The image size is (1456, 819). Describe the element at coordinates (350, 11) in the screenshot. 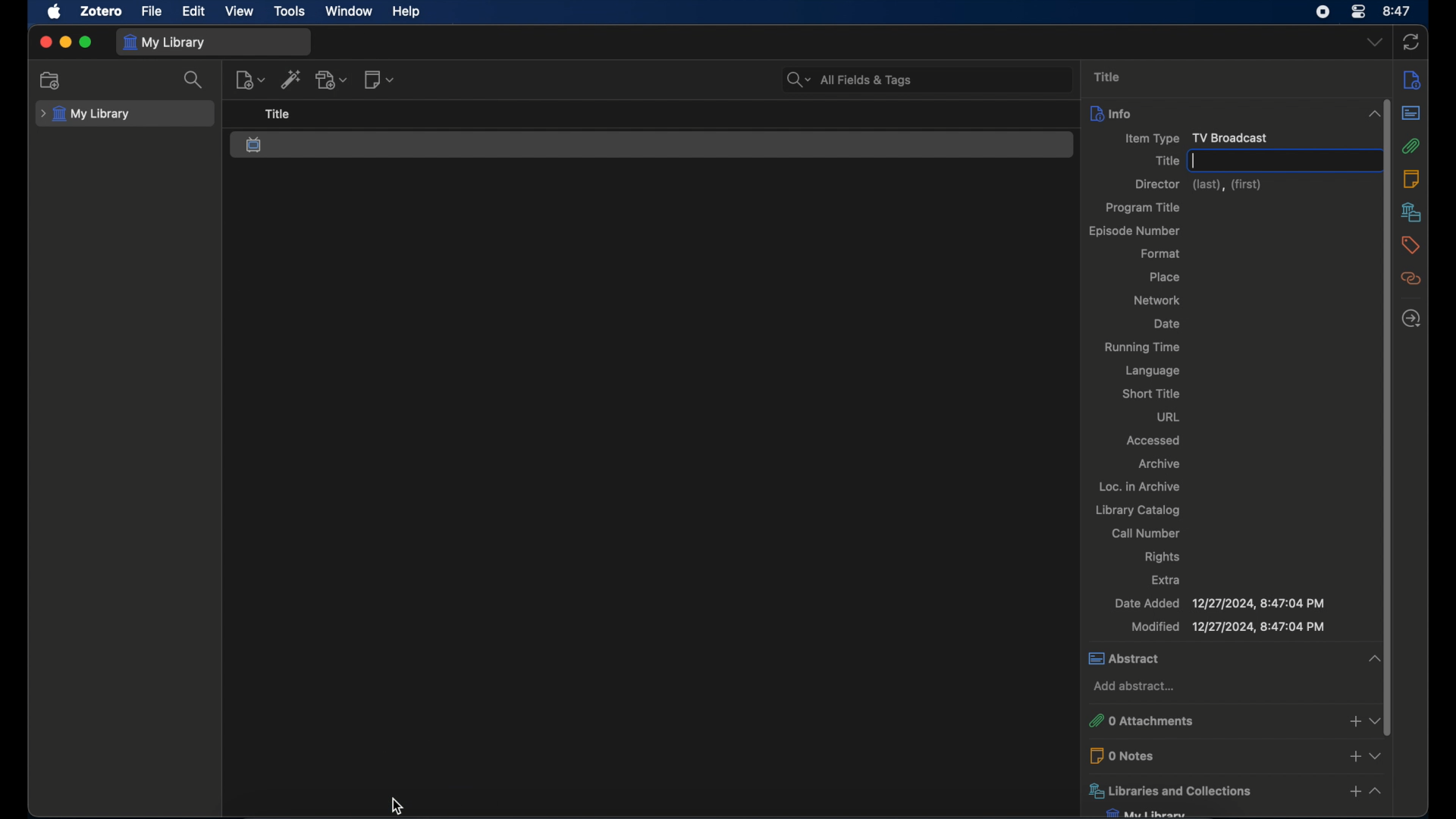

I see `window` at that location.